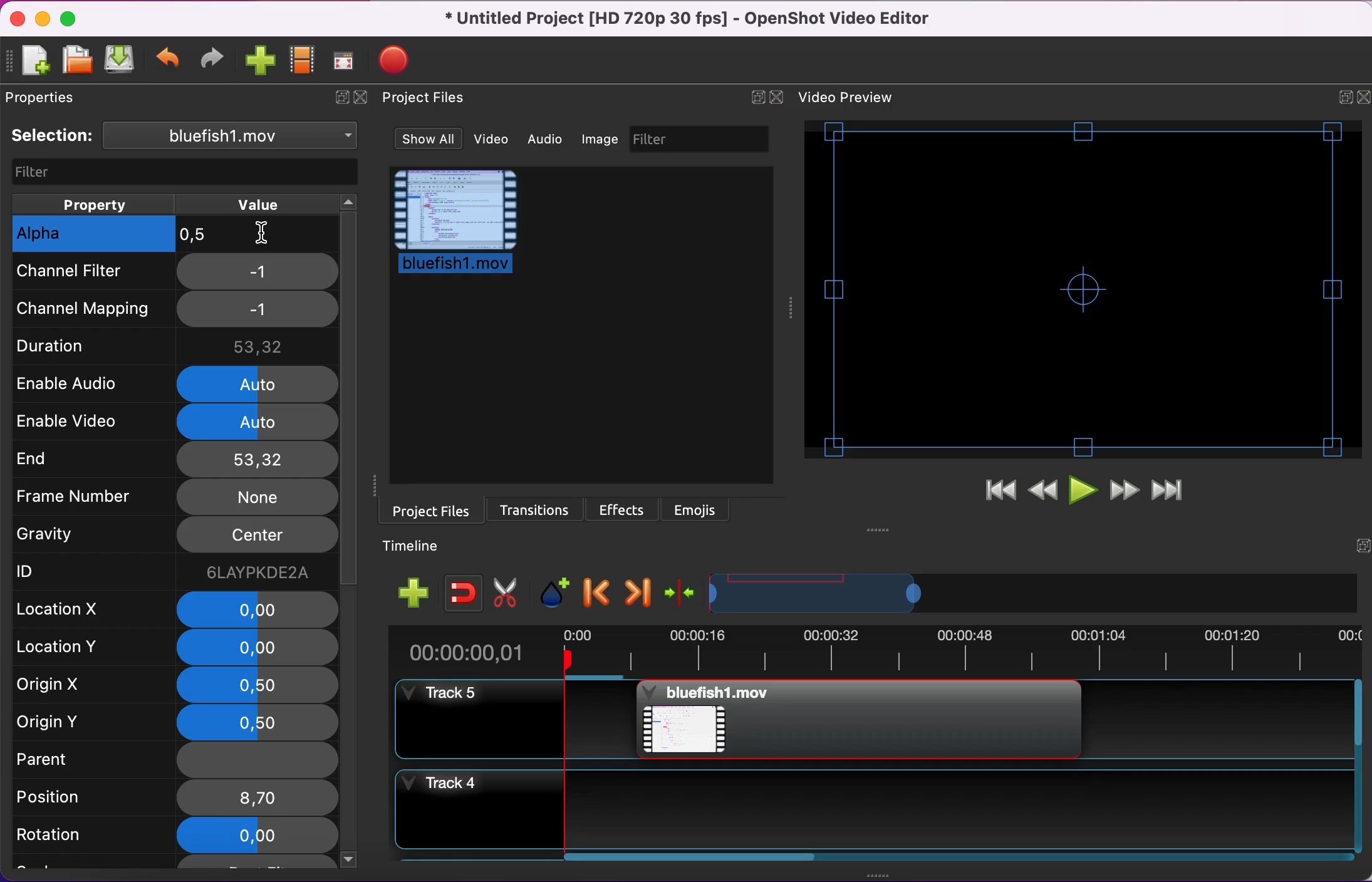 The height and width of the screenshot is (882, 1372). What do you see at coordinates (81, 539) in the screenshot?
I see `gravity` at bounding box center [81, 539].